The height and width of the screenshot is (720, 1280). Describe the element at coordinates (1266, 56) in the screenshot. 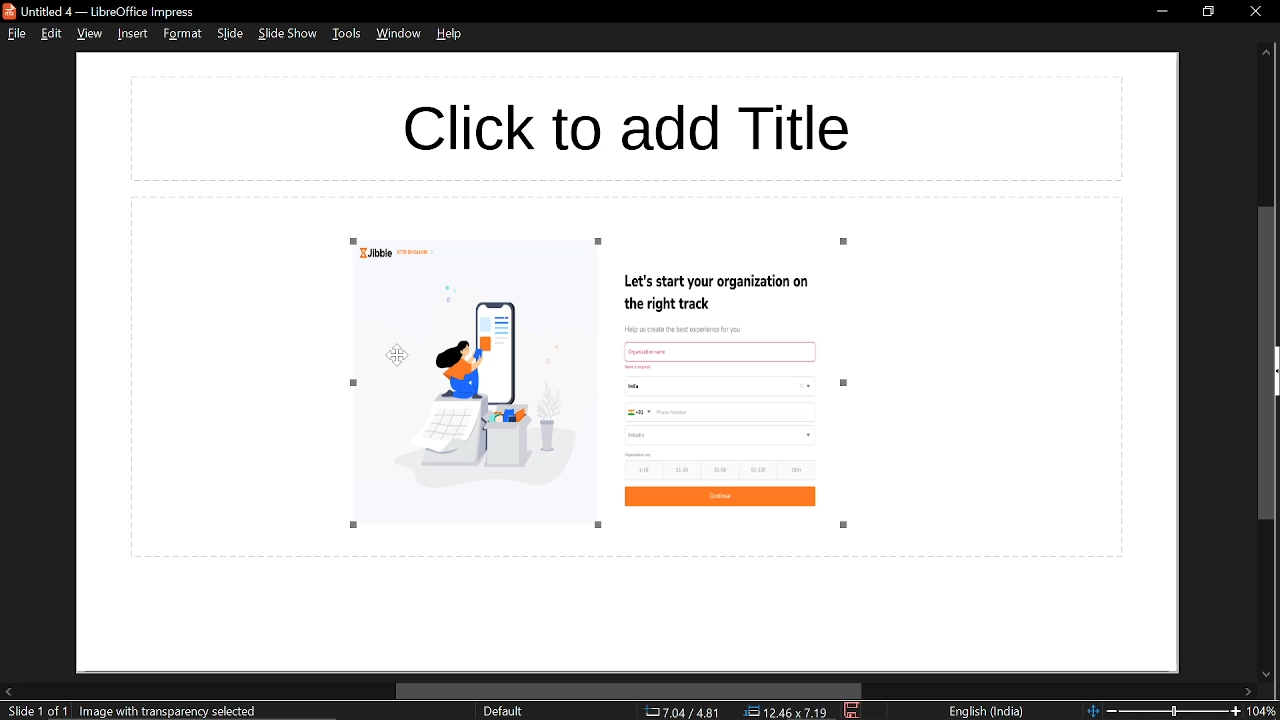

I see `move up` at that location.